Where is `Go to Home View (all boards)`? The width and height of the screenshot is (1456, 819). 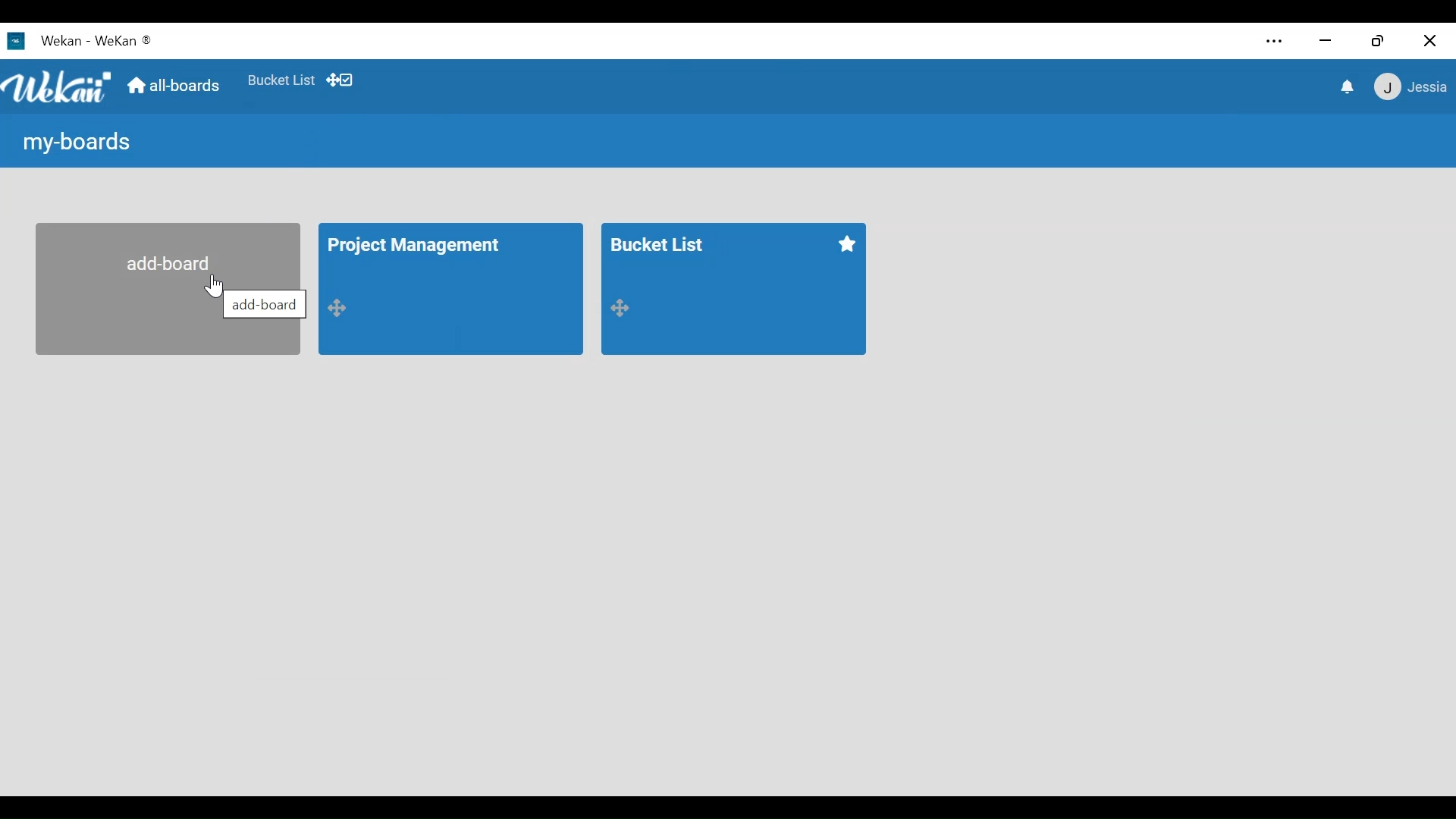
Go to Home View (all boards) is located at coordinates (172, 86).